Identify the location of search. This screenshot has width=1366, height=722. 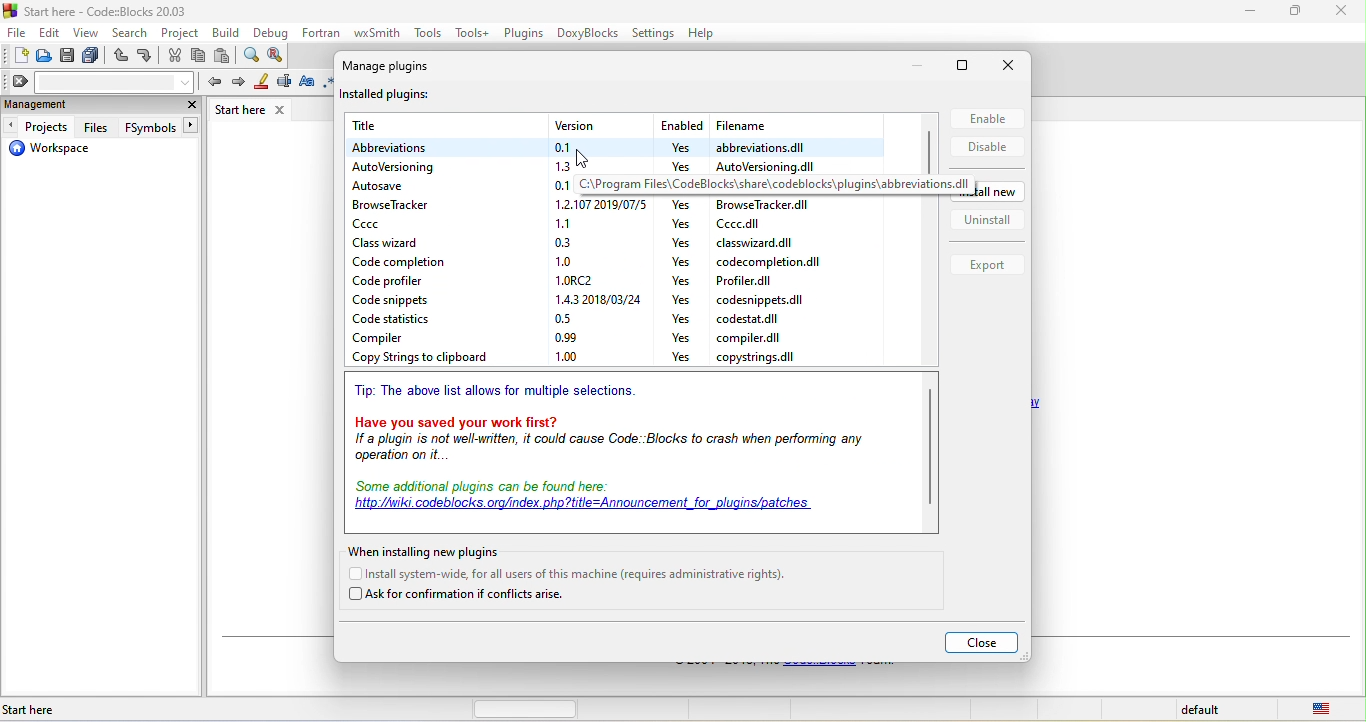
(127, 32).